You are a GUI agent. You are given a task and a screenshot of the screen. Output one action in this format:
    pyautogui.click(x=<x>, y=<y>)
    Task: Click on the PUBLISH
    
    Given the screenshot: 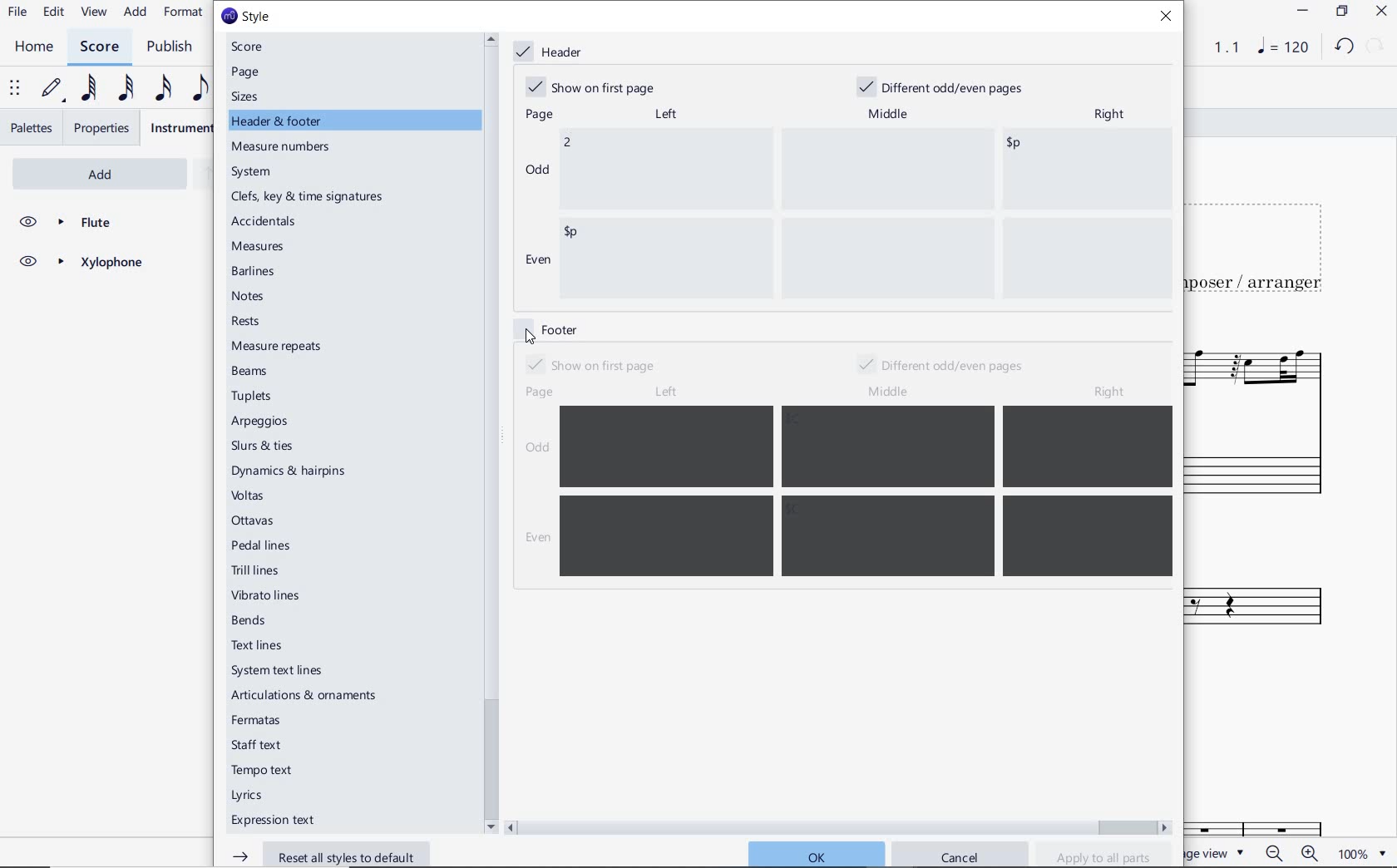 What is the action you would take?
    pyautogui.click(x=174, y=47)
    